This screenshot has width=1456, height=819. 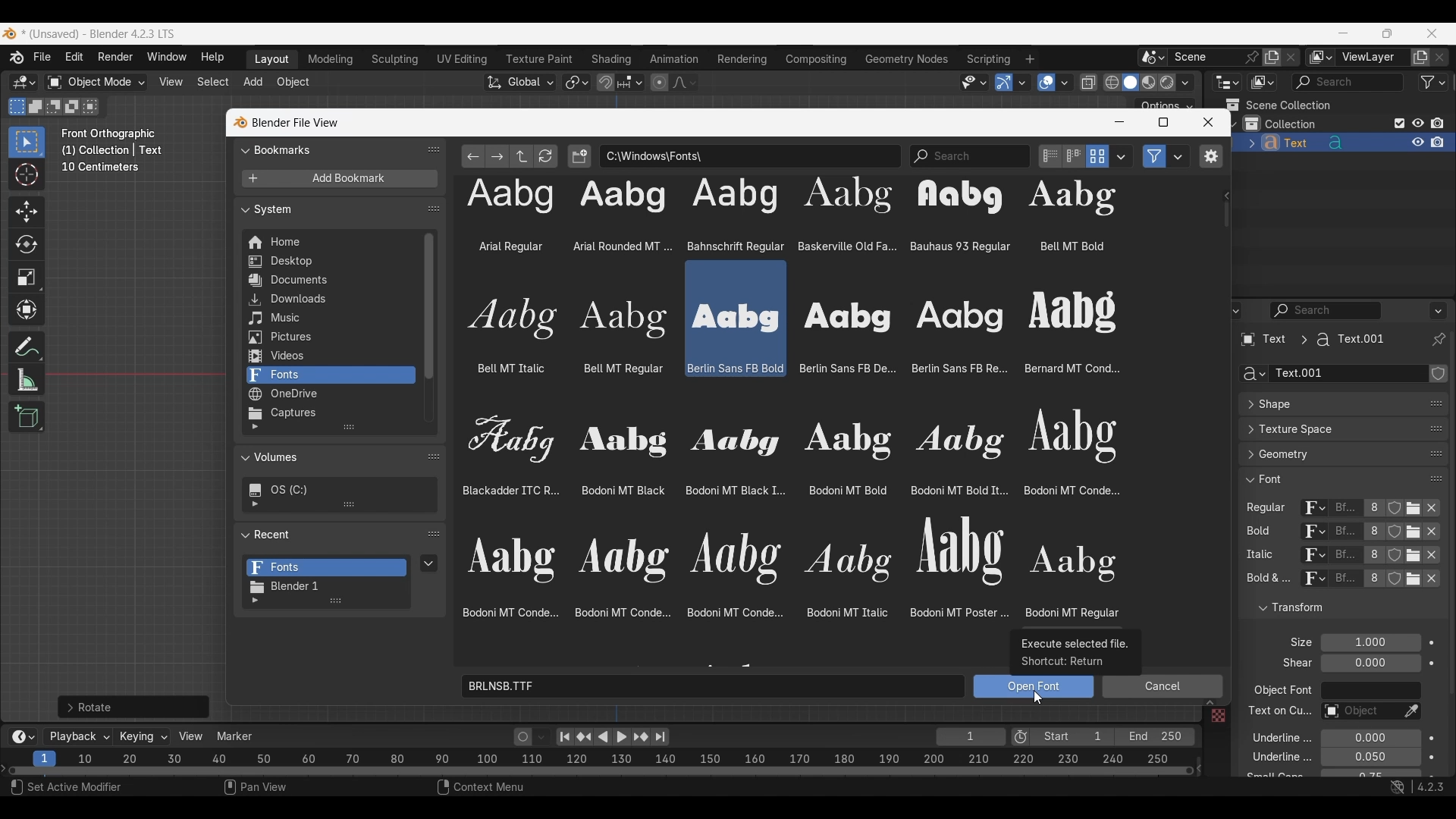 What do you see at coordinates (1326, 310) in the screenshot?
I see `Display filter` at bounding box center [1326, 310].